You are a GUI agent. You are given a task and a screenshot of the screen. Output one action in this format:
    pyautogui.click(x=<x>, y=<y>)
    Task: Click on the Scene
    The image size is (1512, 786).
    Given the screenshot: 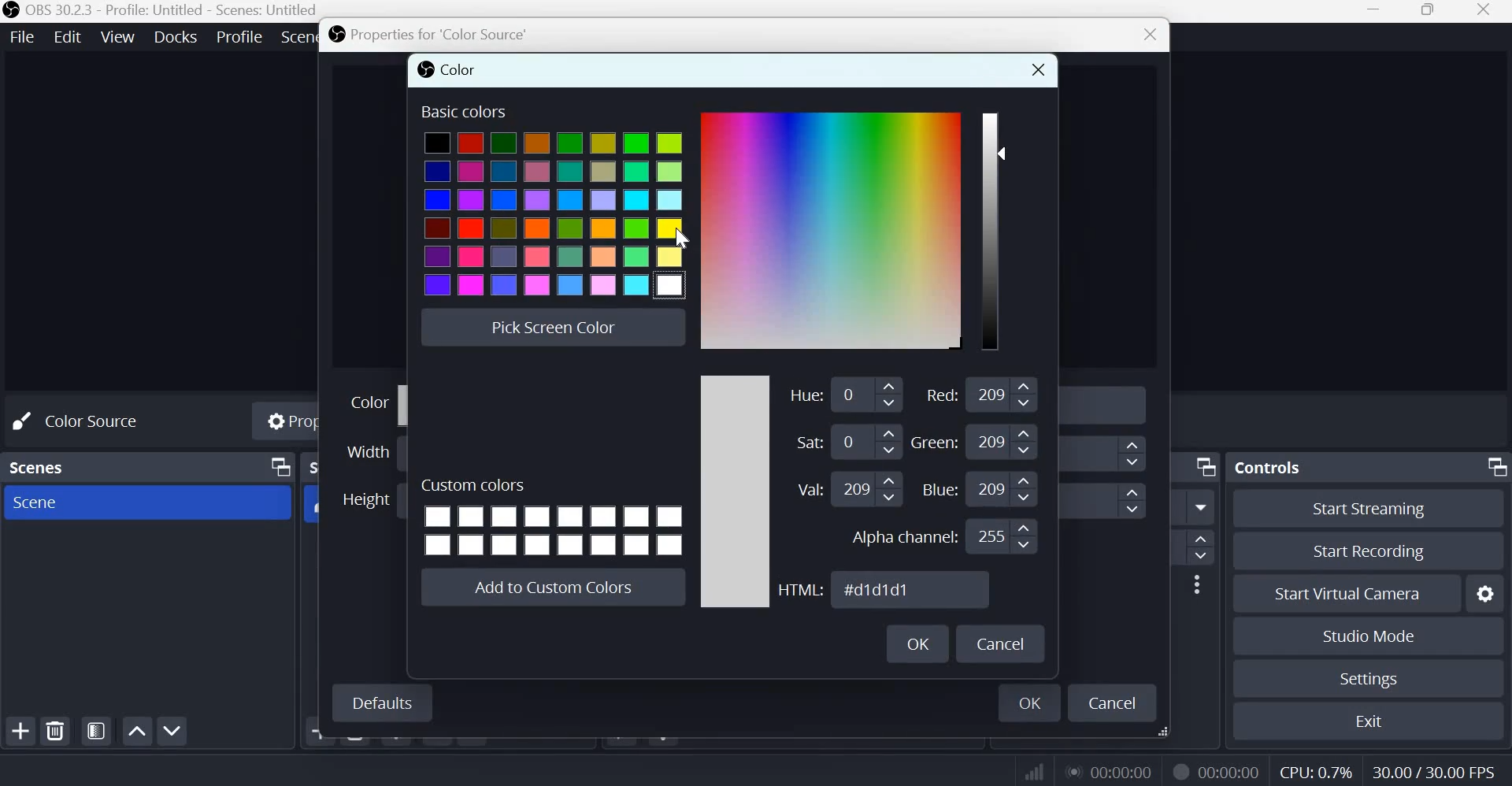 What is the action you would take?
    pyautogui.click(x=35, y=502)
    